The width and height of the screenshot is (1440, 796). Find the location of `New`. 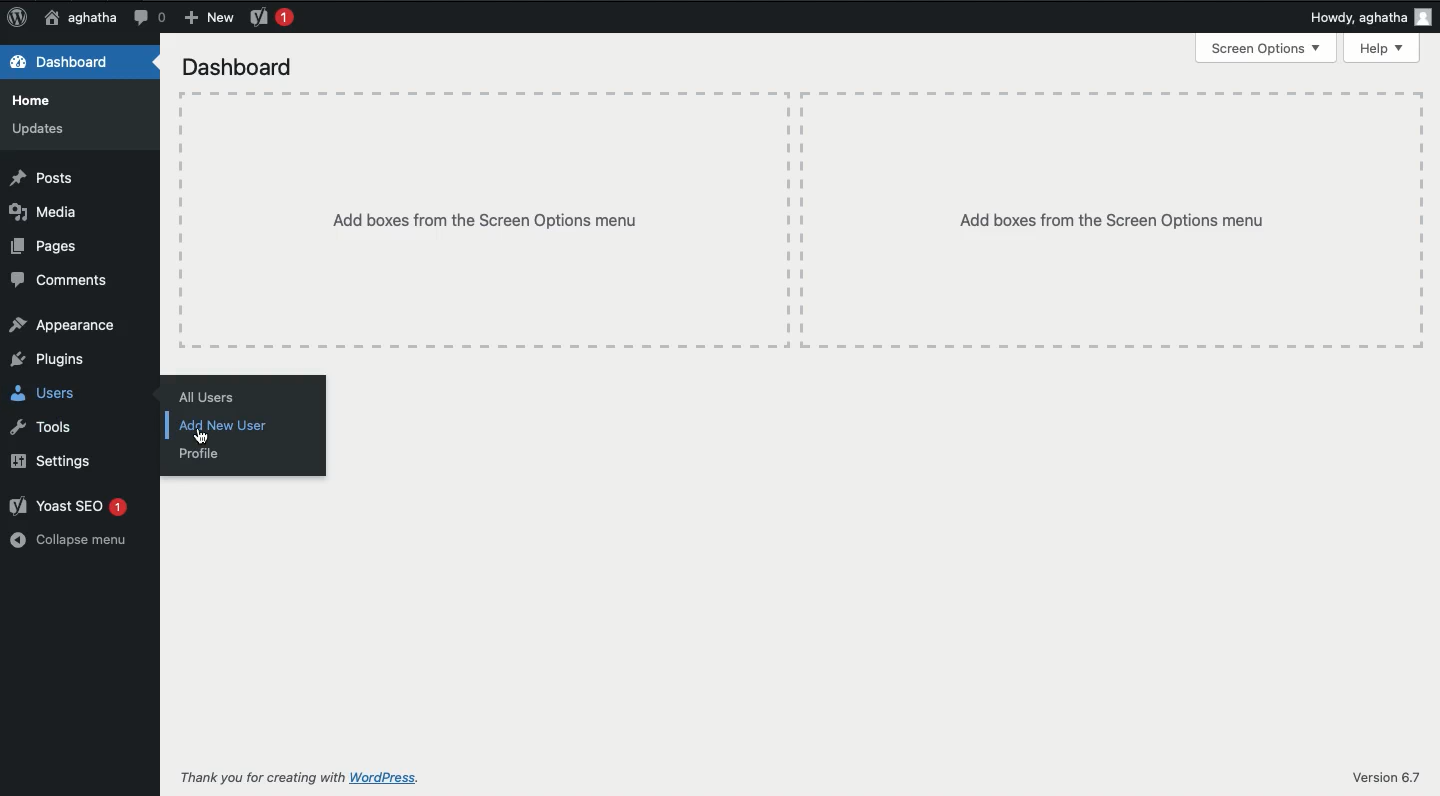

New is located at coordinates (208, 16).